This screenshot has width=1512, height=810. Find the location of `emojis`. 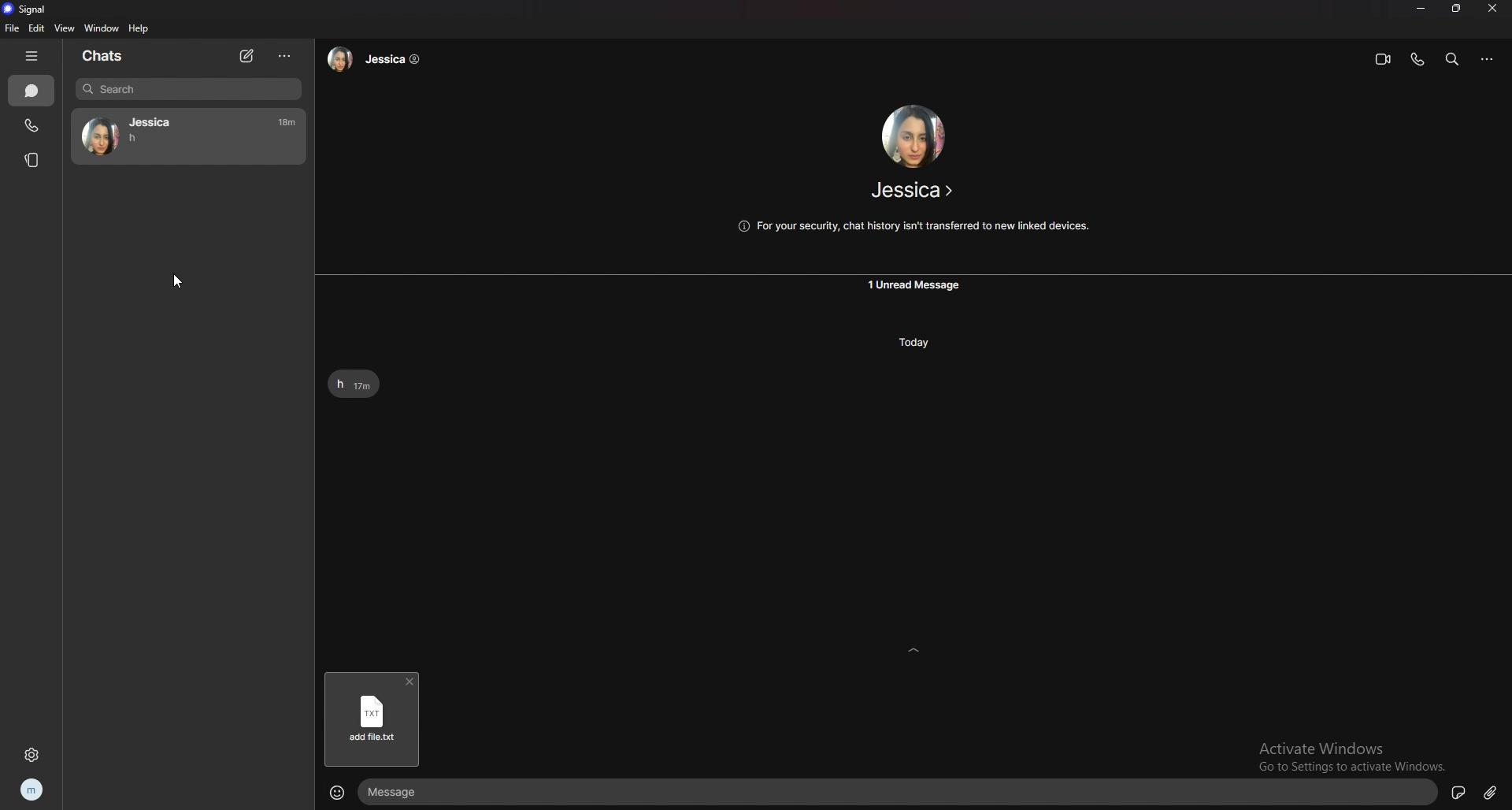

emojis is located at coordinates (337, 793).